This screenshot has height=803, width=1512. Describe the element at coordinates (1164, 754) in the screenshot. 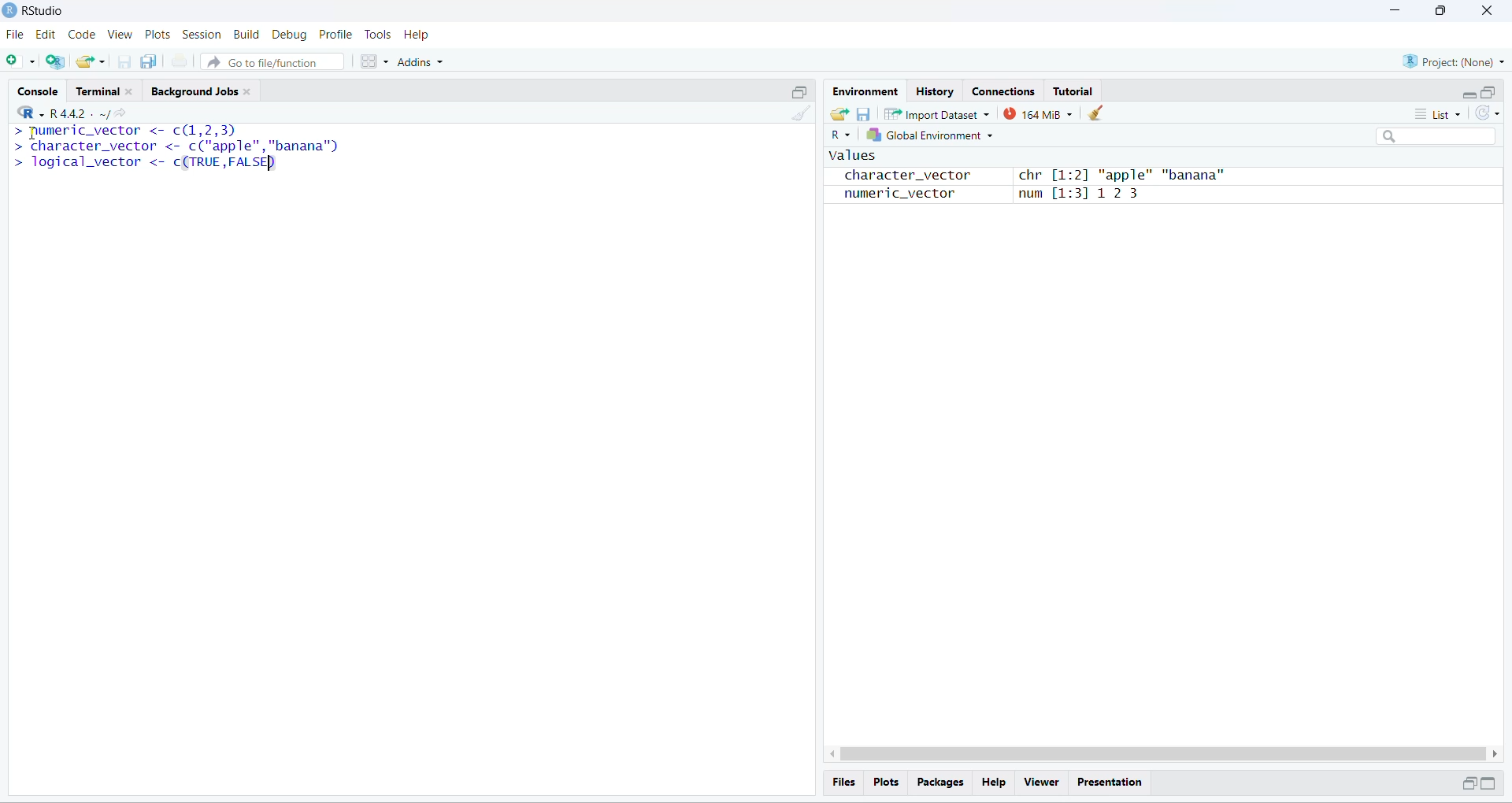

I see `scrollbar` at that location.